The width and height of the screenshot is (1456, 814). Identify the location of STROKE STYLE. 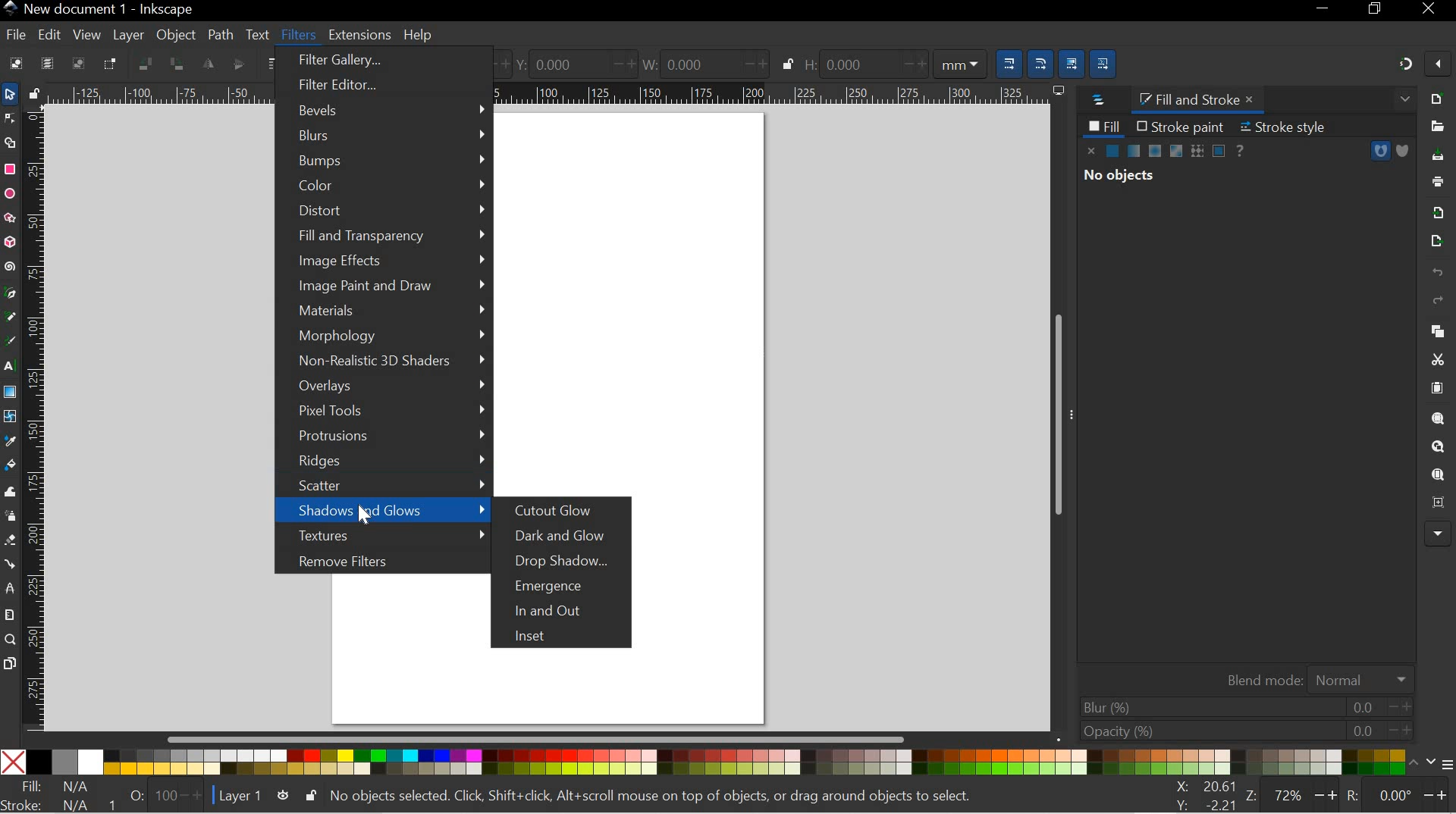
(1289, 127).